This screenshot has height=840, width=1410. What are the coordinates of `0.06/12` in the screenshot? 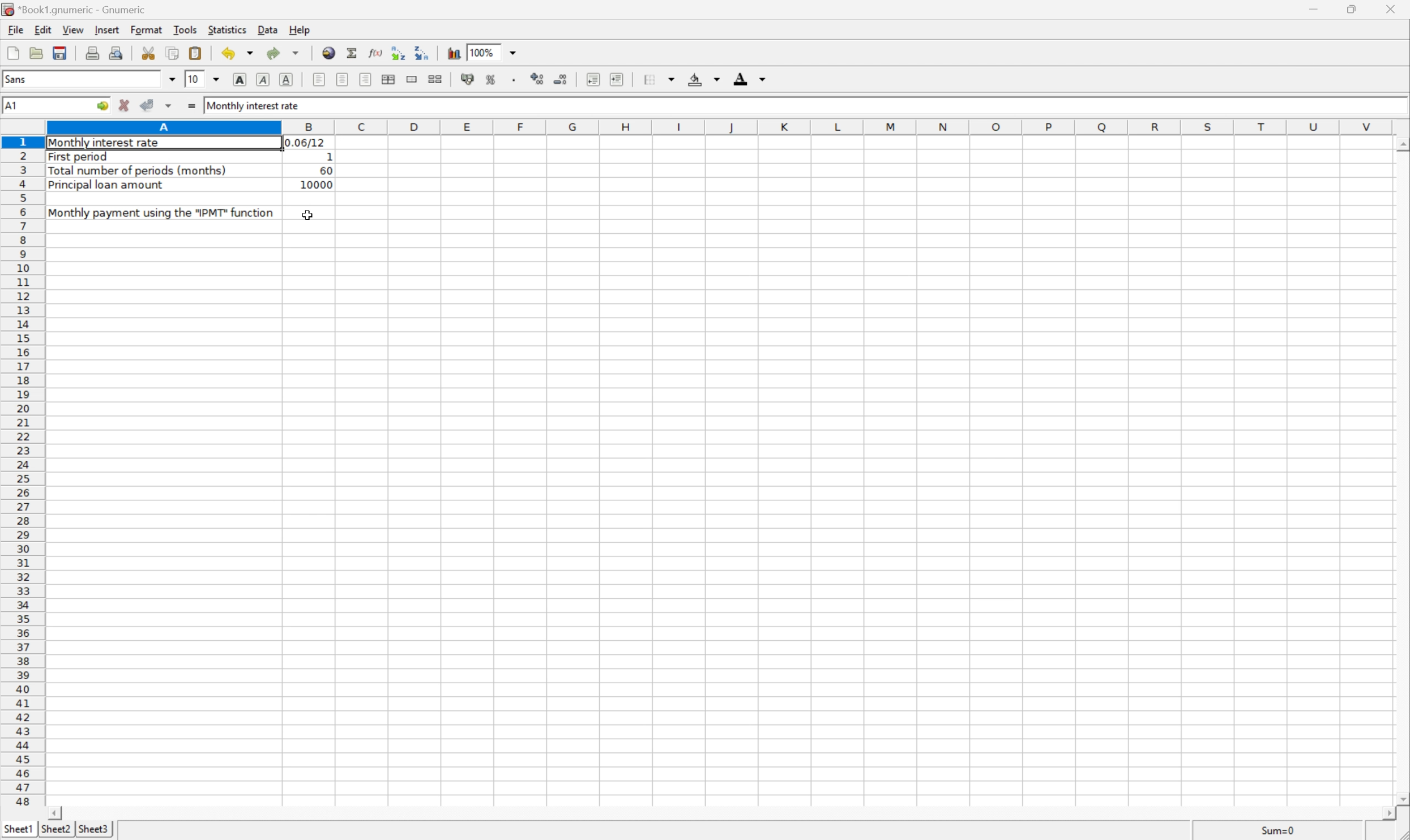 It's located at (306, 142).